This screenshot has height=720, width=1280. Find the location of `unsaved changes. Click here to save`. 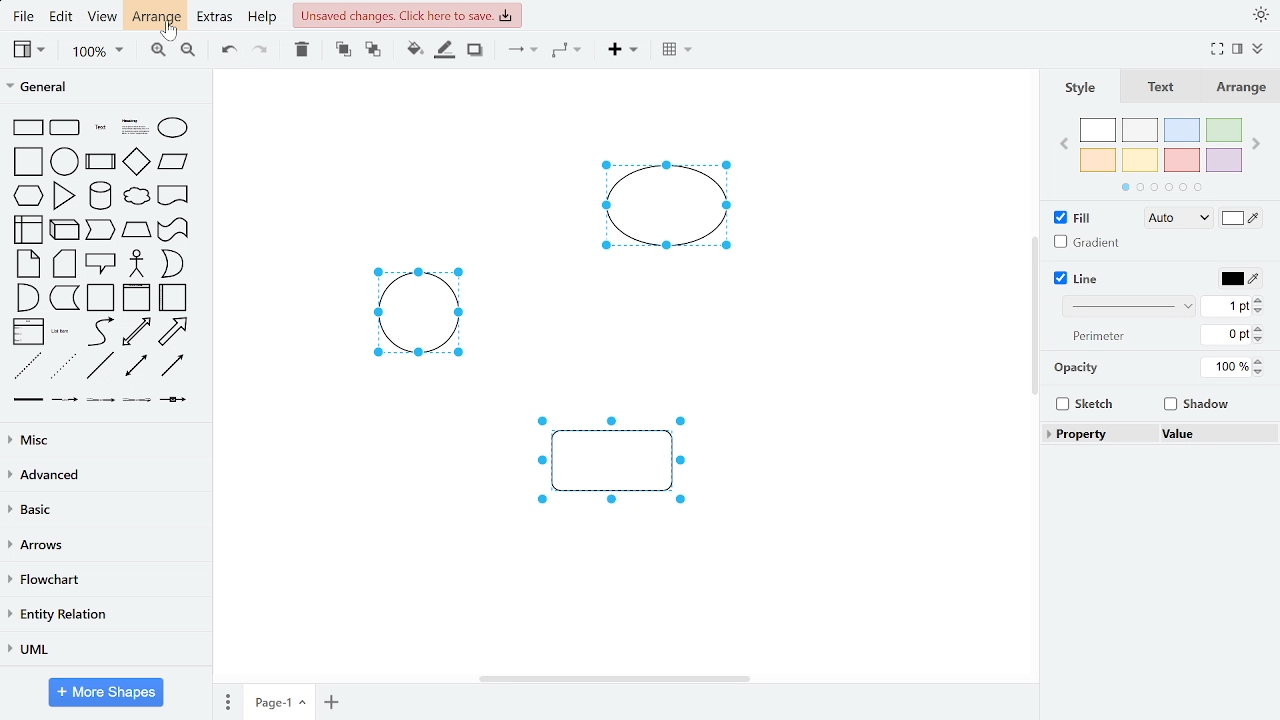

unsaved changes. Click here to save is located at coordinates (407, 15).